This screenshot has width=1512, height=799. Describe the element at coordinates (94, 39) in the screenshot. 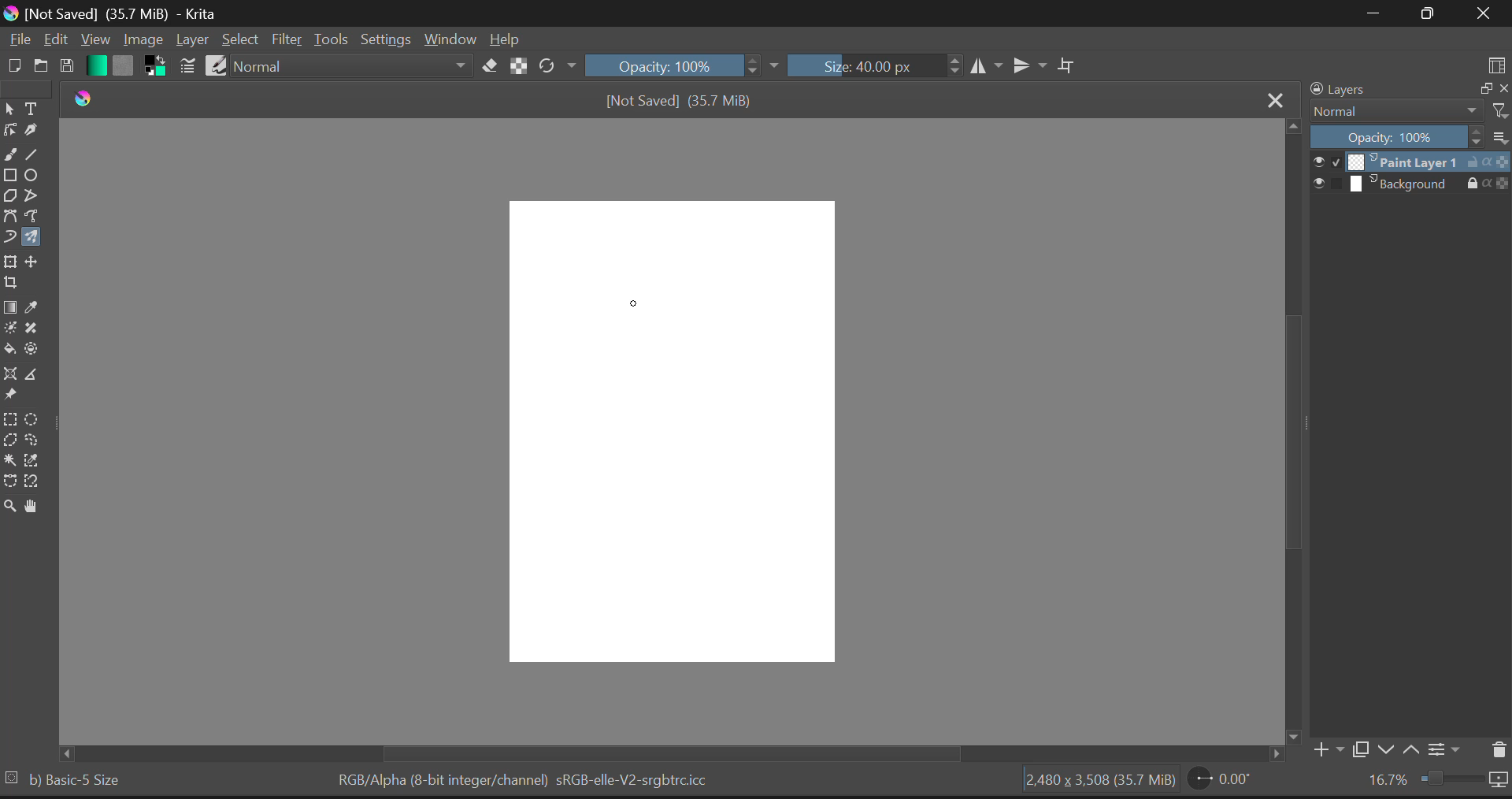

I see `View` at that location.